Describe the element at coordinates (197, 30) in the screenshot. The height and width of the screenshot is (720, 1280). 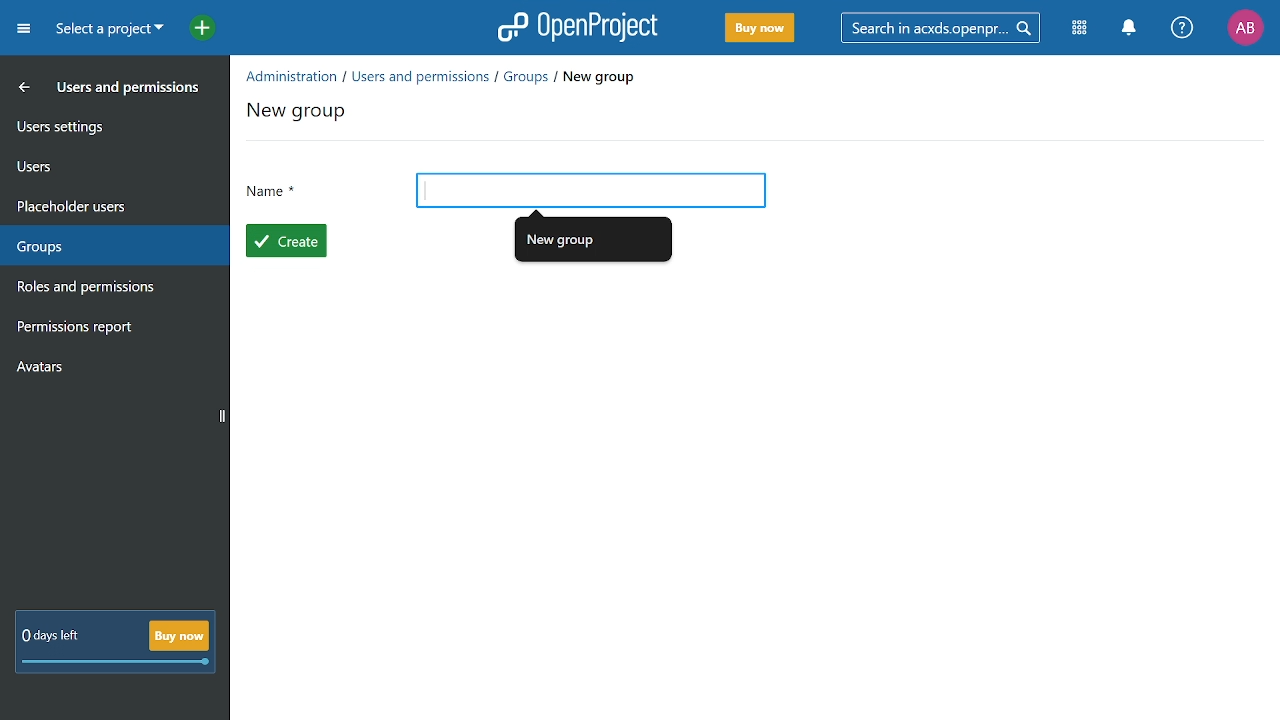
I see `add project` at that location.